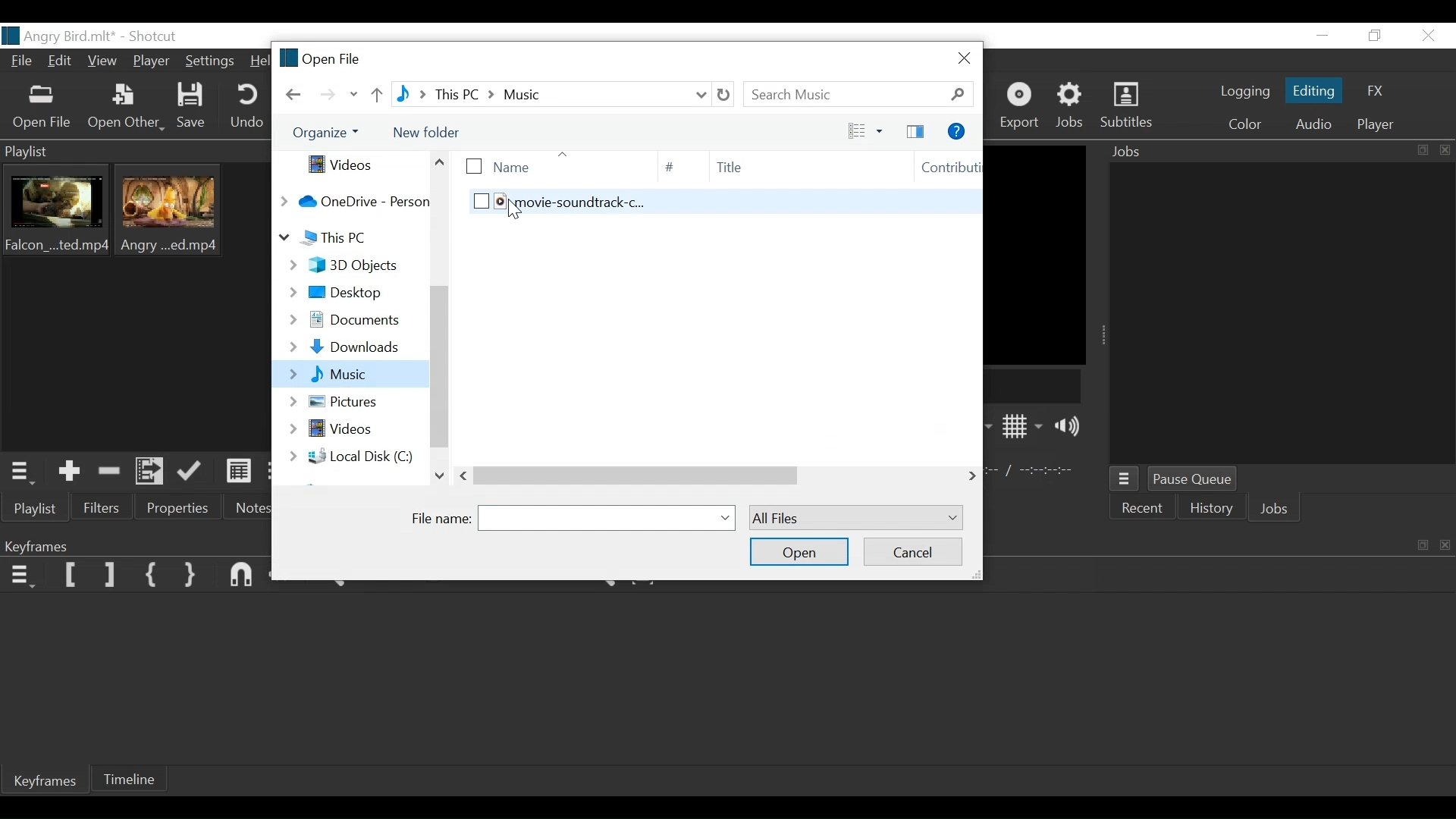 This screenshot has width=1456, height=819. I want to click on View, so click(859, 130).